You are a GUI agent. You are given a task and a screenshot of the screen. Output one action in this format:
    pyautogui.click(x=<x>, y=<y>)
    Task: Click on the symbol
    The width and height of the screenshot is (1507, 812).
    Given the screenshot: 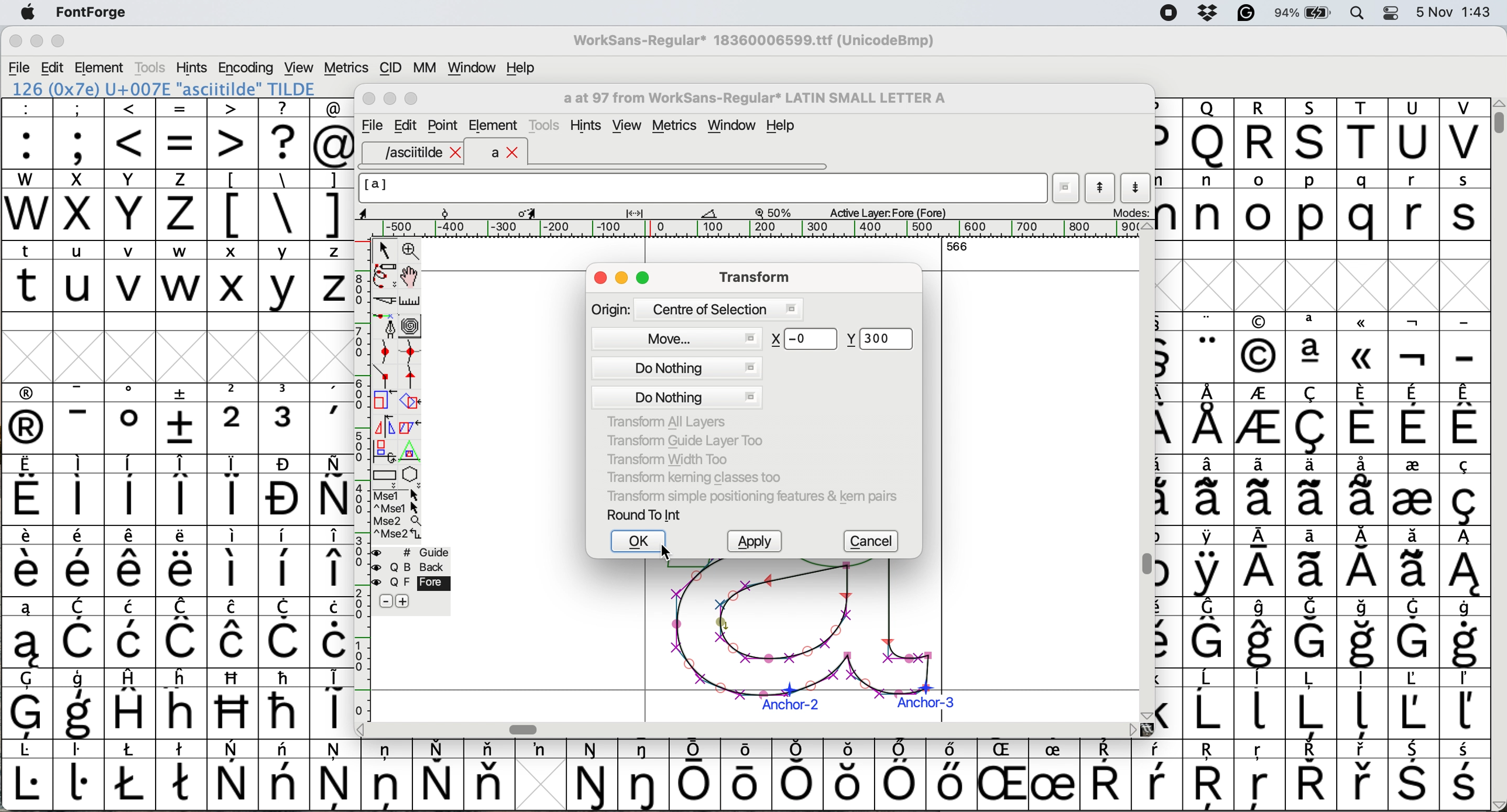 What is the action you would take?
    pyautogui.click(x=800, y=774)
    